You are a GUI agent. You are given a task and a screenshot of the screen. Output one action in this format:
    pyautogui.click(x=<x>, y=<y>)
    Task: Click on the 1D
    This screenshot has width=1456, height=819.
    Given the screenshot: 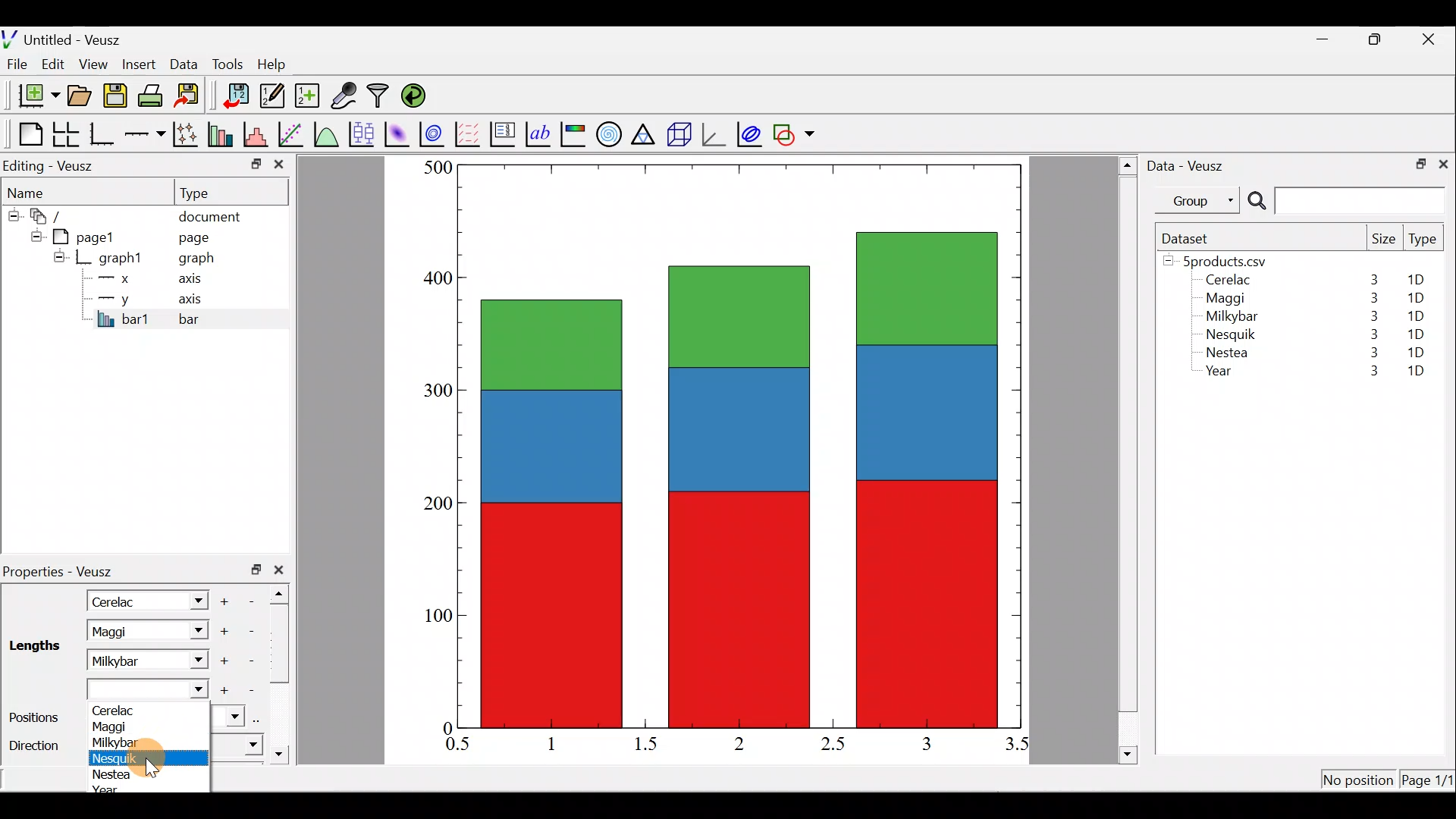 What is the action you would take?
    pyautogui.click(x=1416, y=372)
    